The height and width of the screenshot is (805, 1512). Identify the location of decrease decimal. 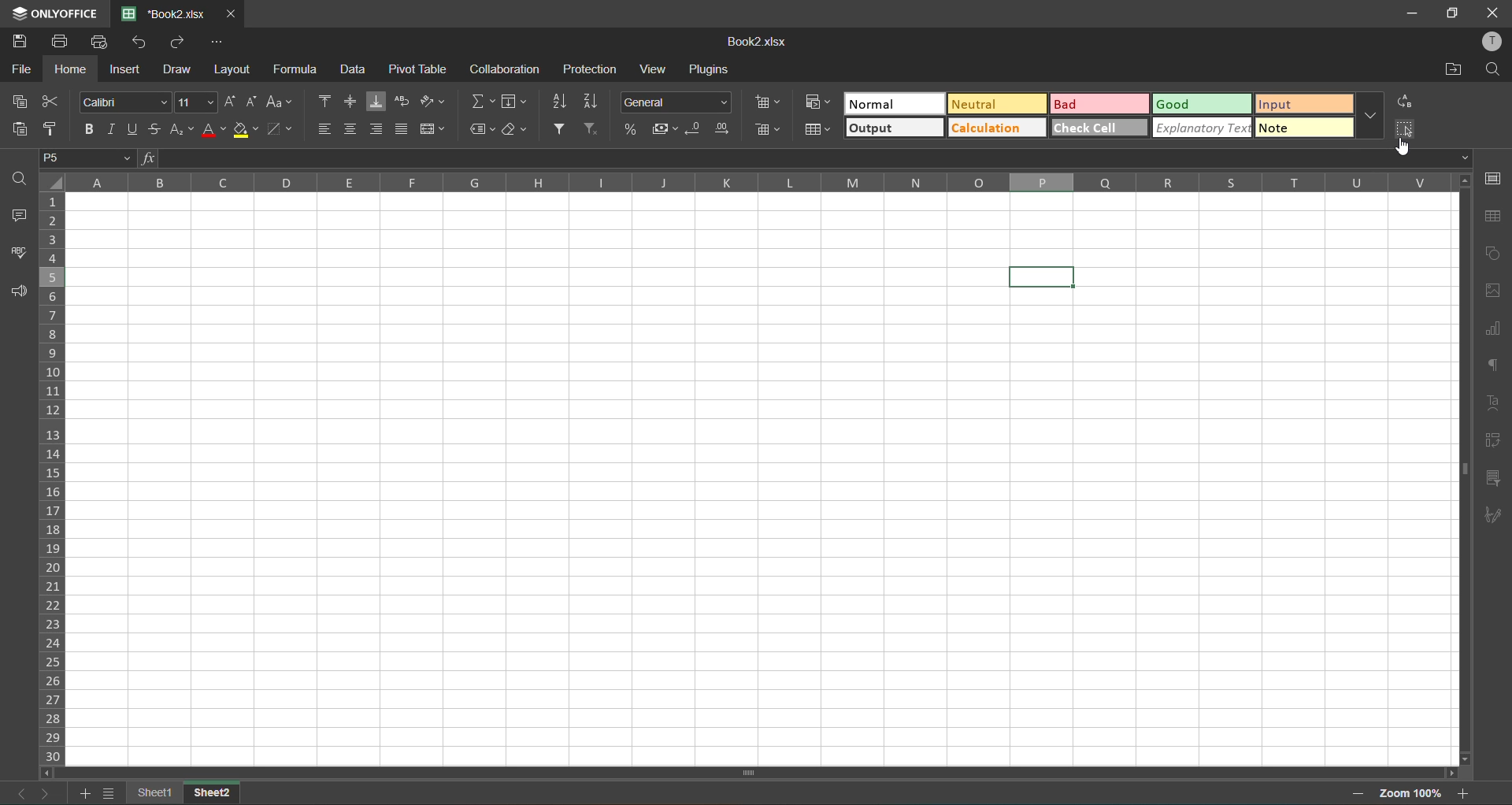
(696, 131).